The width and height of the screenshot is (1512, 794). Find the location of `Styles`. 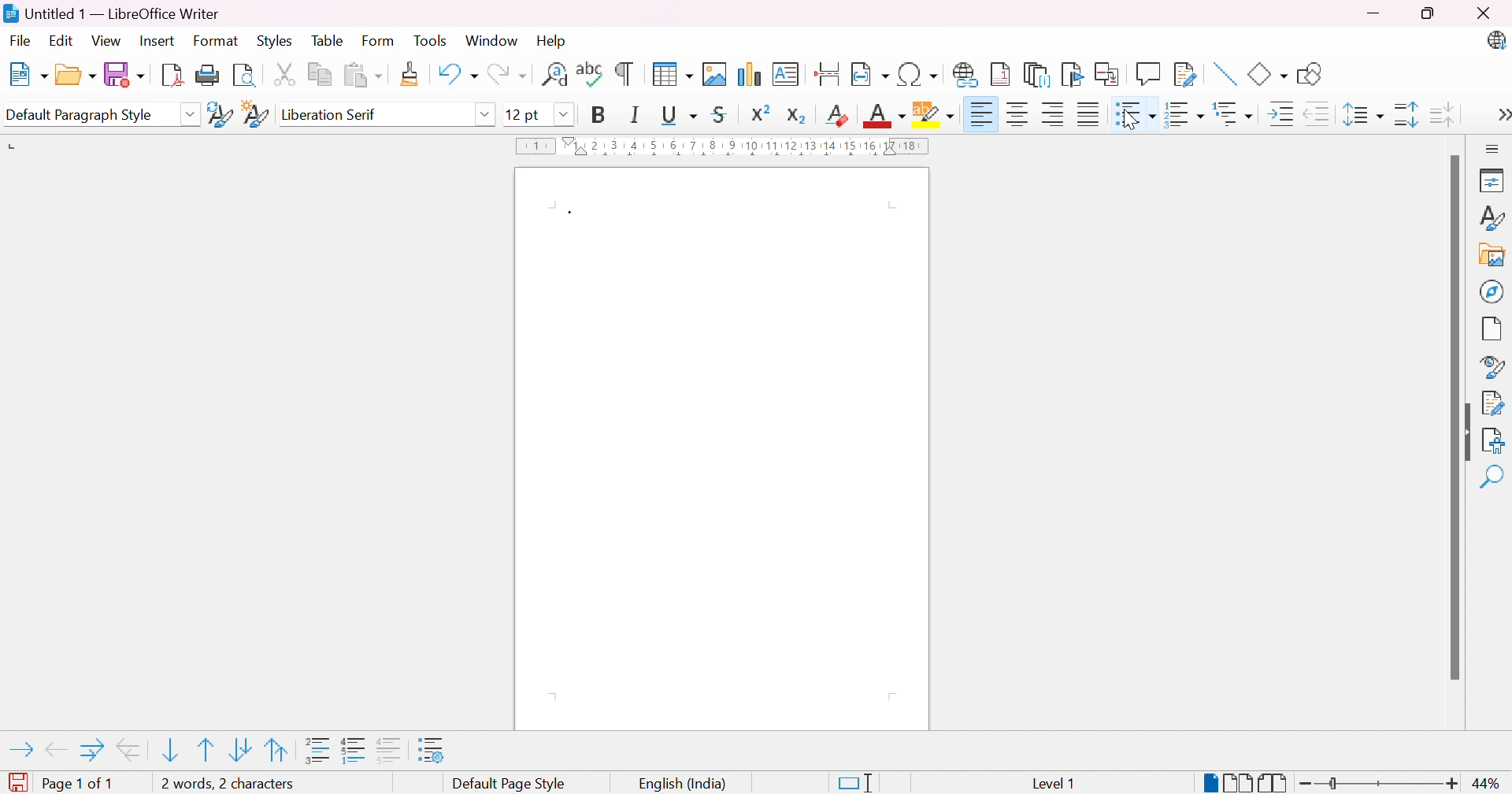

Styles is located at coordinates (274, 40).